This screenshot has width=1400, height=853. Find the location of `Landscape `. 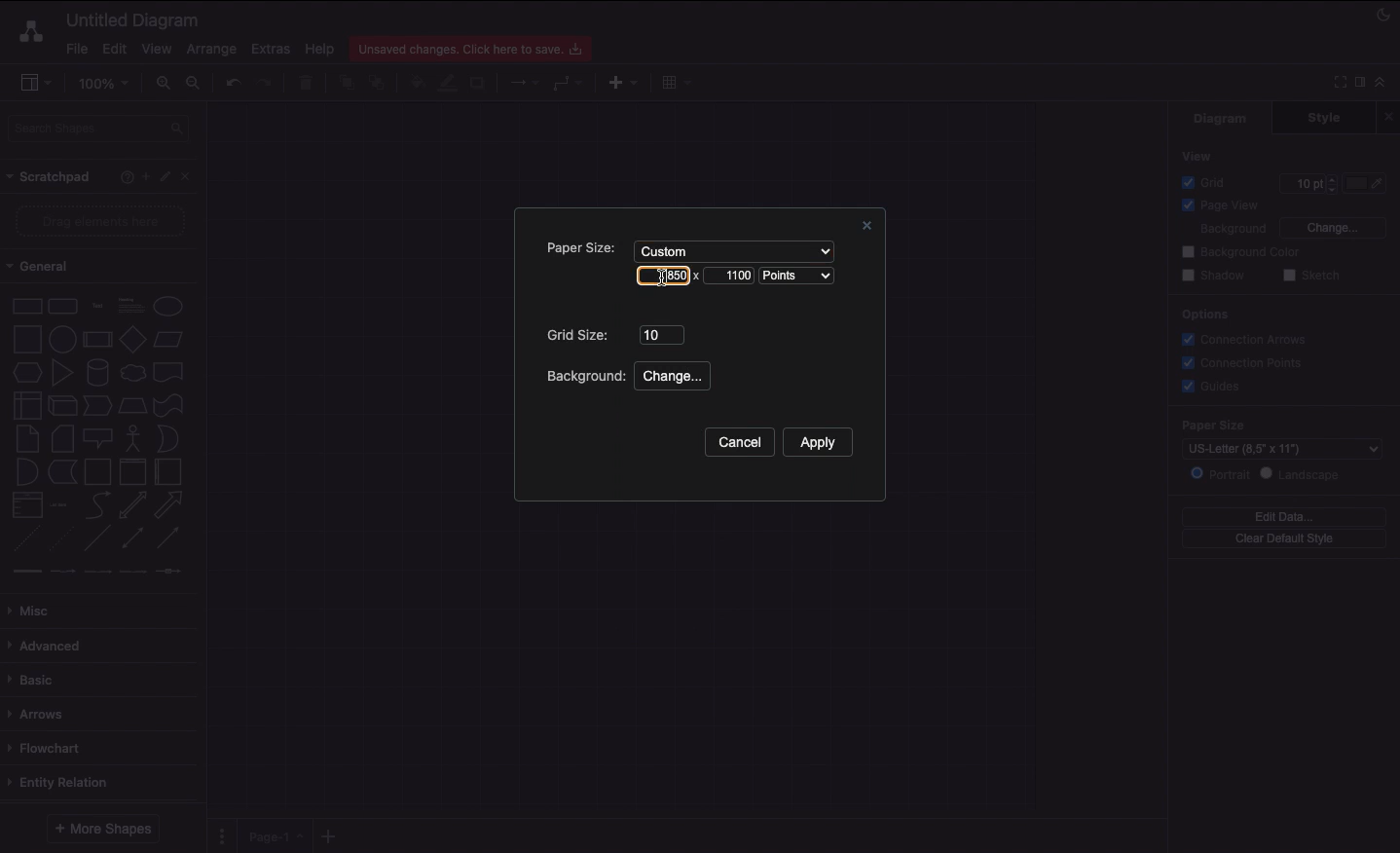

Landscape  is located at coordinates (1304, 474).